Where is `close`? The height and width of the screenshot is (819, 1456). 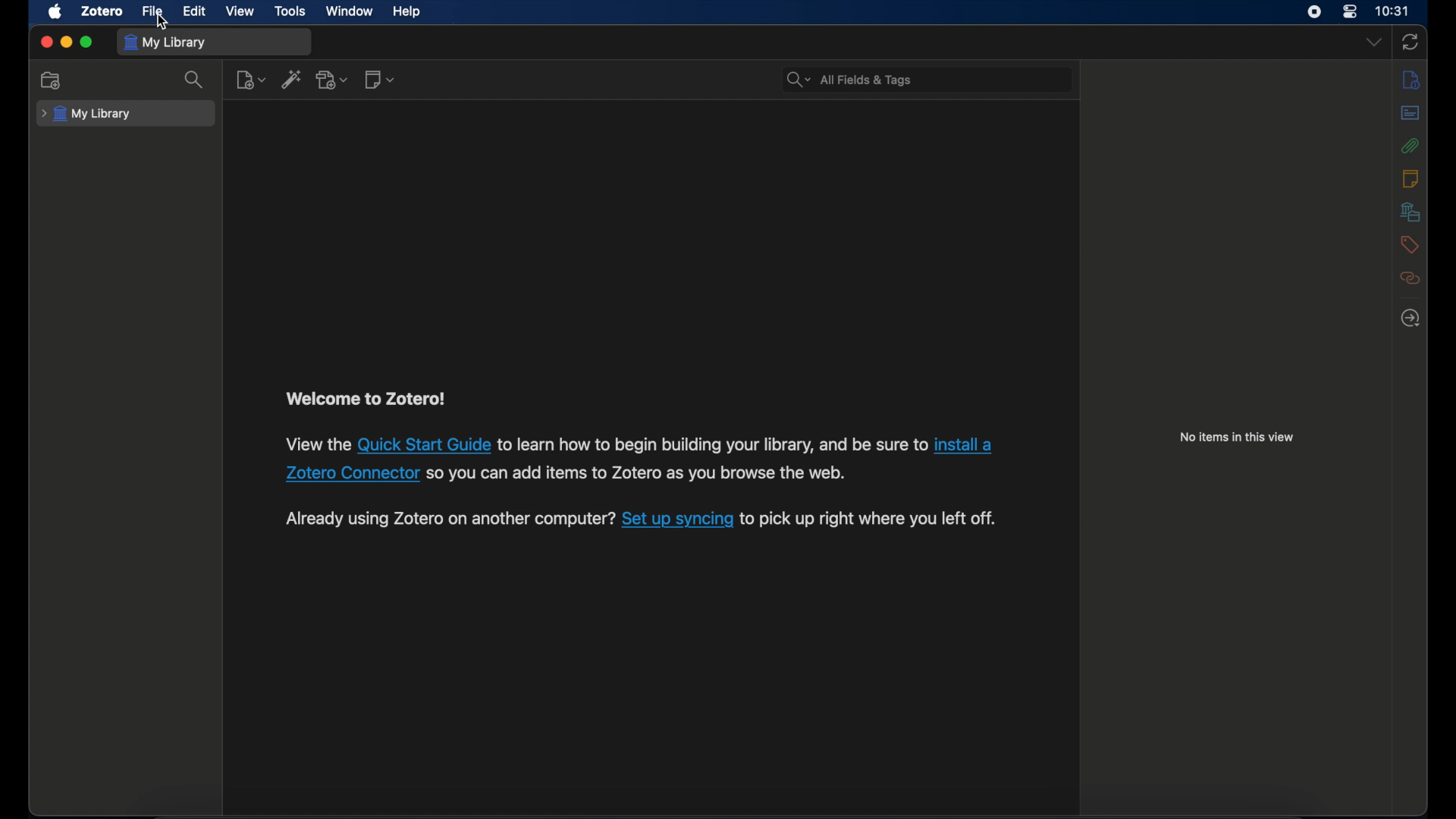
close is located at coordinates (45, 42).